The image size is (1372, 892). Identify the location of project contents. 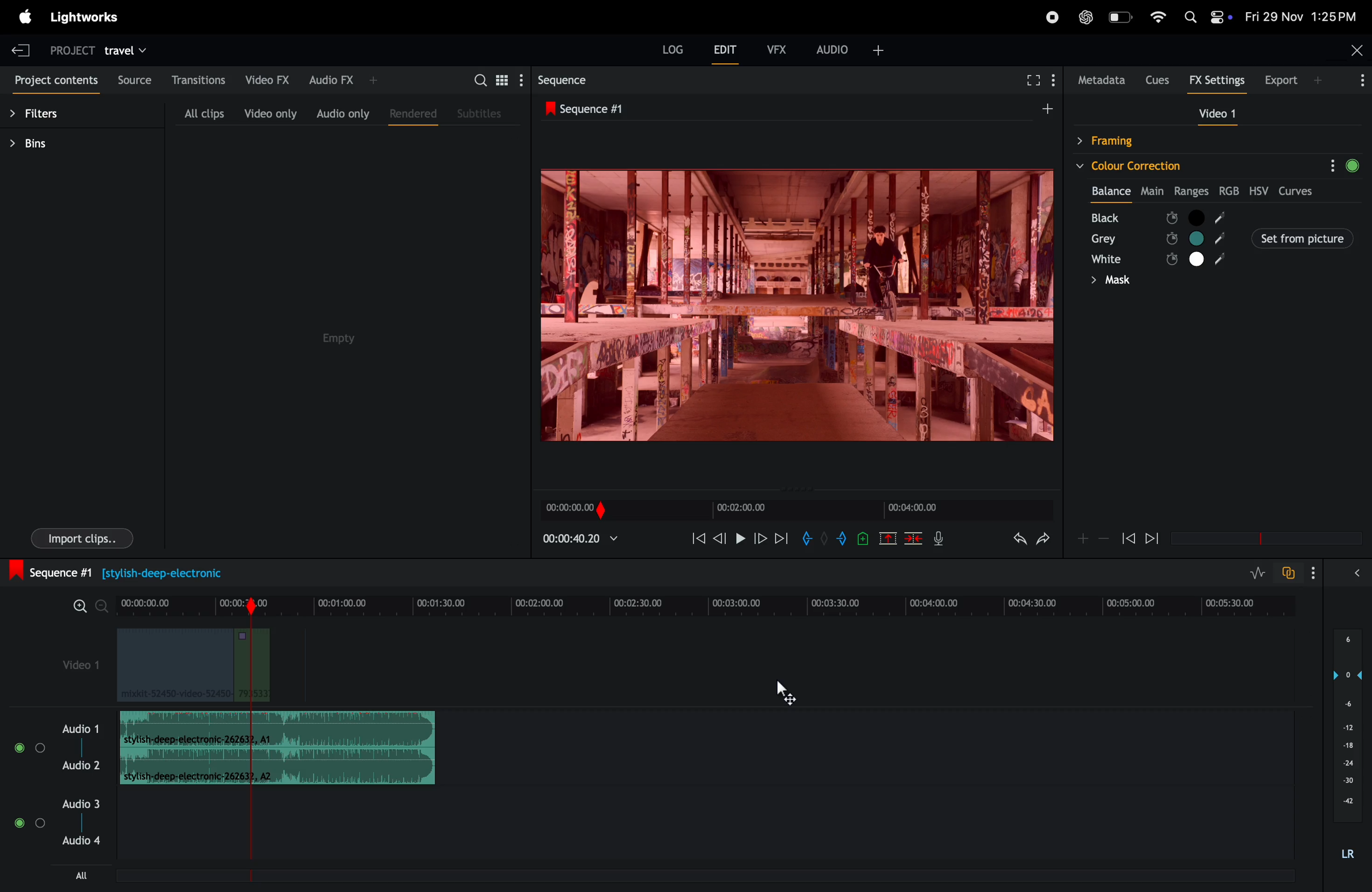
(55, 82).